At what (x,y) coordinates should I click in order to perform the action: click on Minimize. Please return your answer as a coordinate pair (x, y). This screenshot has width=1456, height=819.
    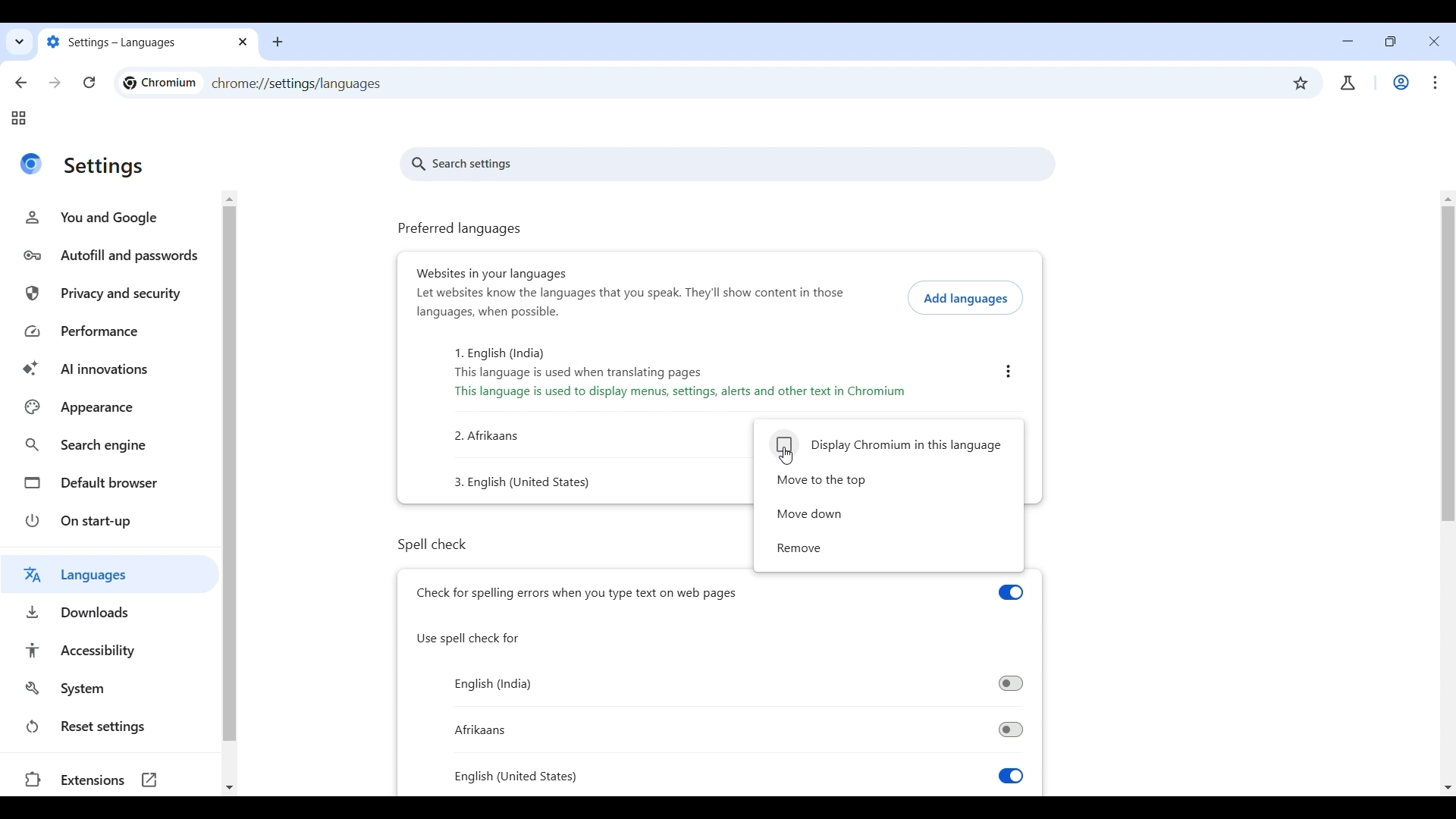
    Looking at the image, I should click on (1348, 41).